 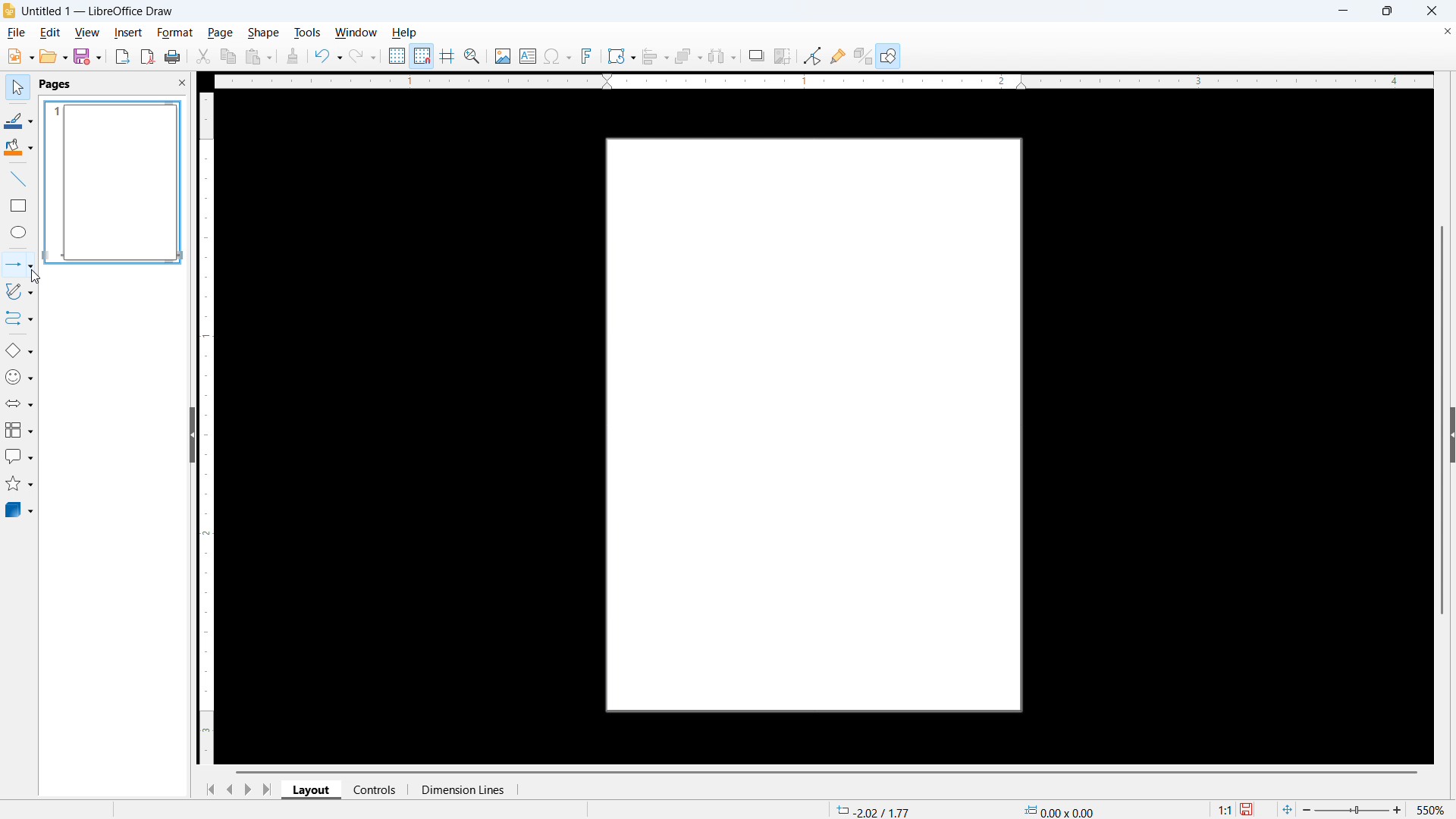 I want to click on Maximise , so click(x=1388, y=11).